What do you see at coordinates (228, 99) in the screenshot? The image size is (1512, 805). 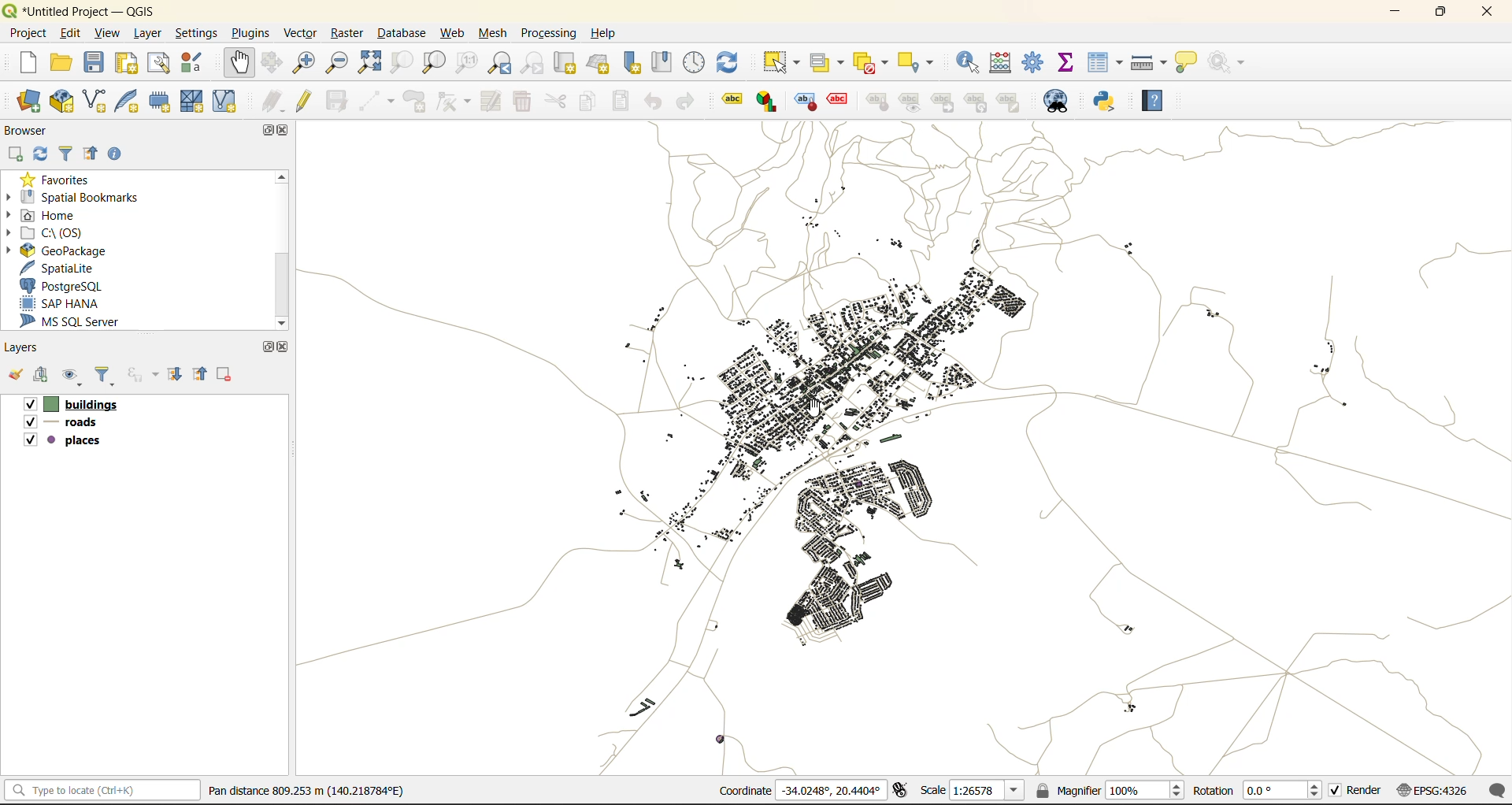 I see `new virtual layer` at bounding box center [228, 99].